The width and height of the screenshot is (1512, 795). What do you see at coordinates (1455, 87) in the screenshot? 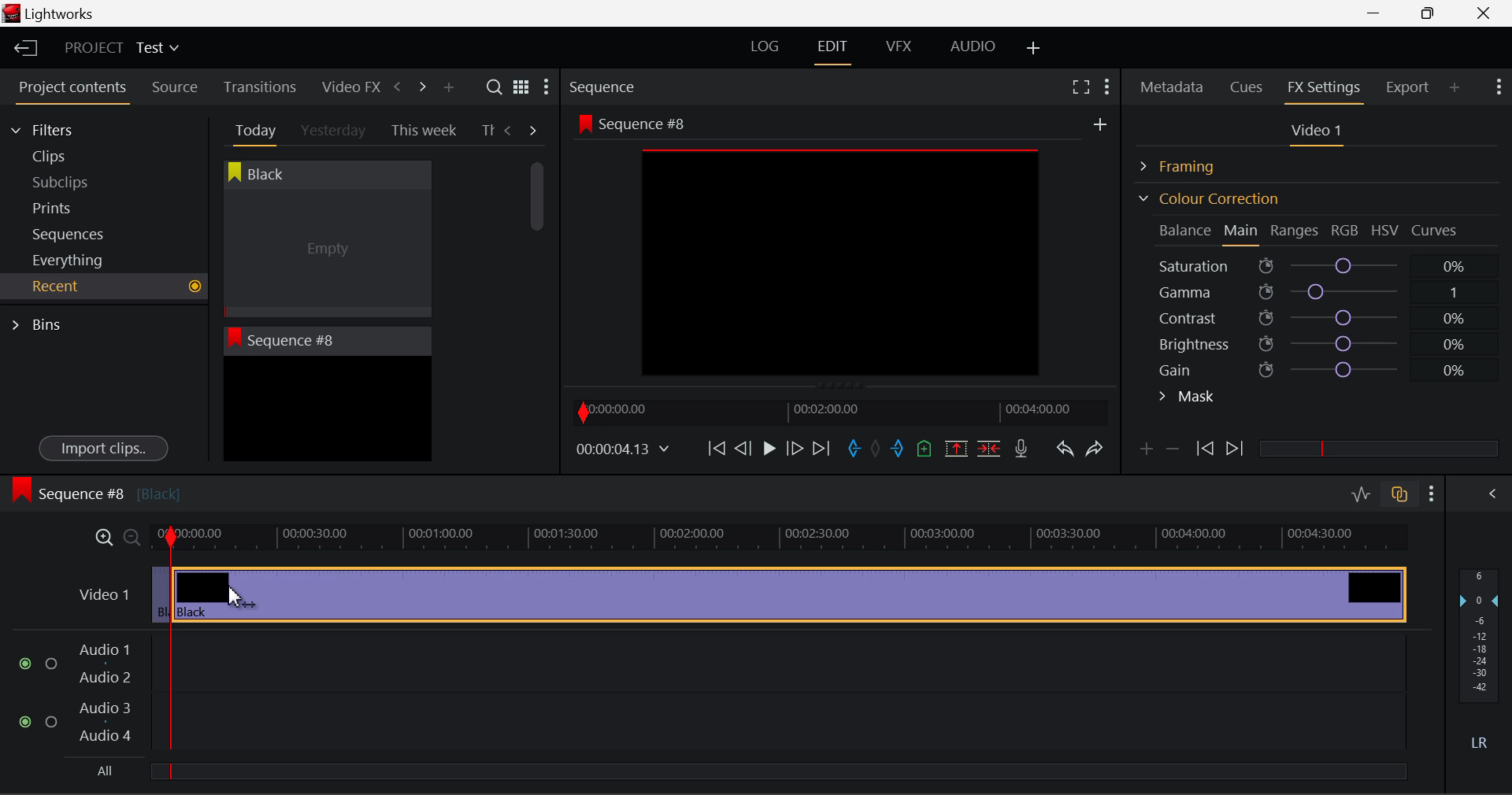
I see `Add Panel` at bounding box center [1455, 87].